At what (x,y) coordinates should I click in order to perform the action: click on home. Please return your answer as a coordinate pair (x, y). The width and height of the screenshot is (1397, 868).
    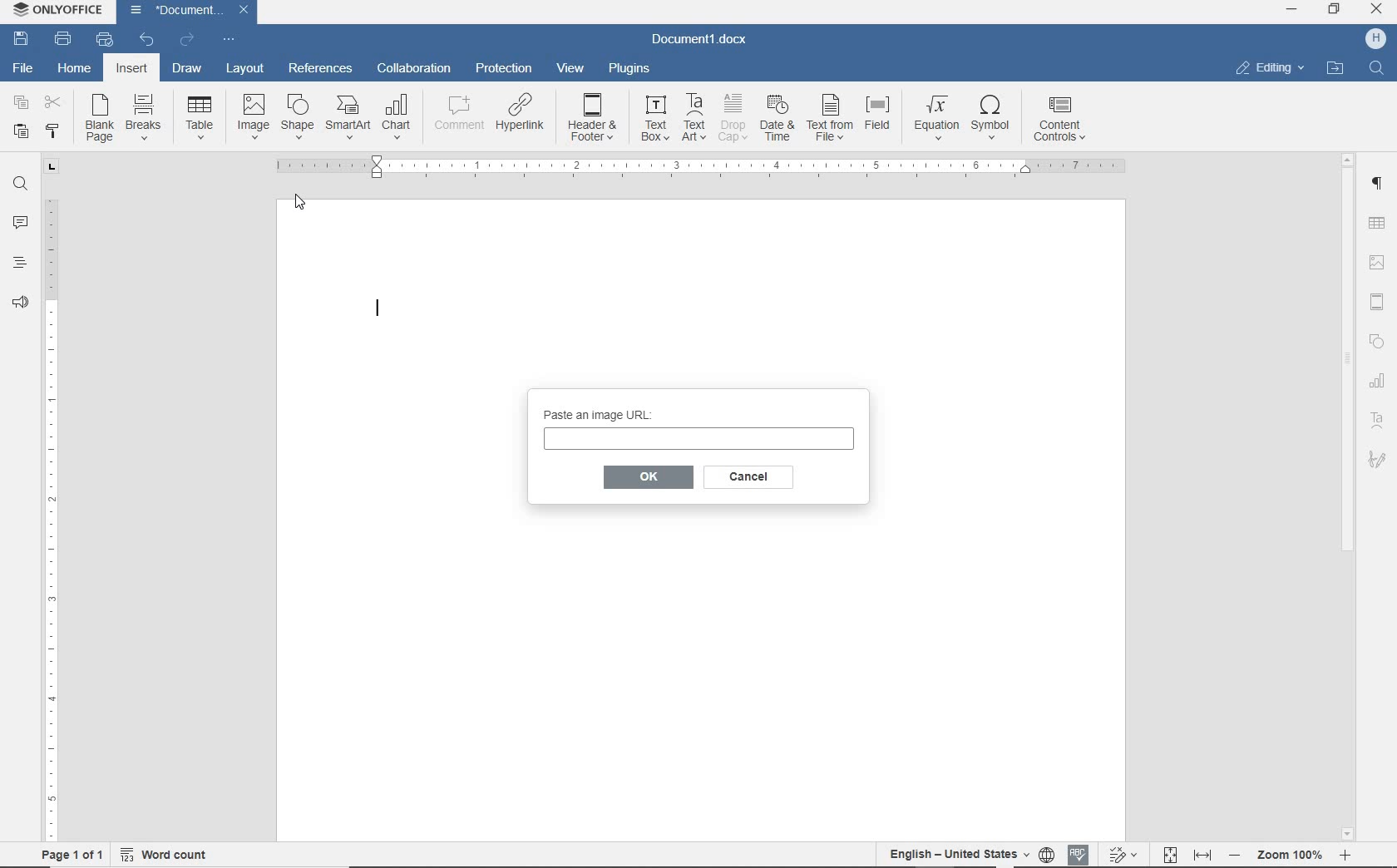
    Looking at the image, I should click on (73, 72).